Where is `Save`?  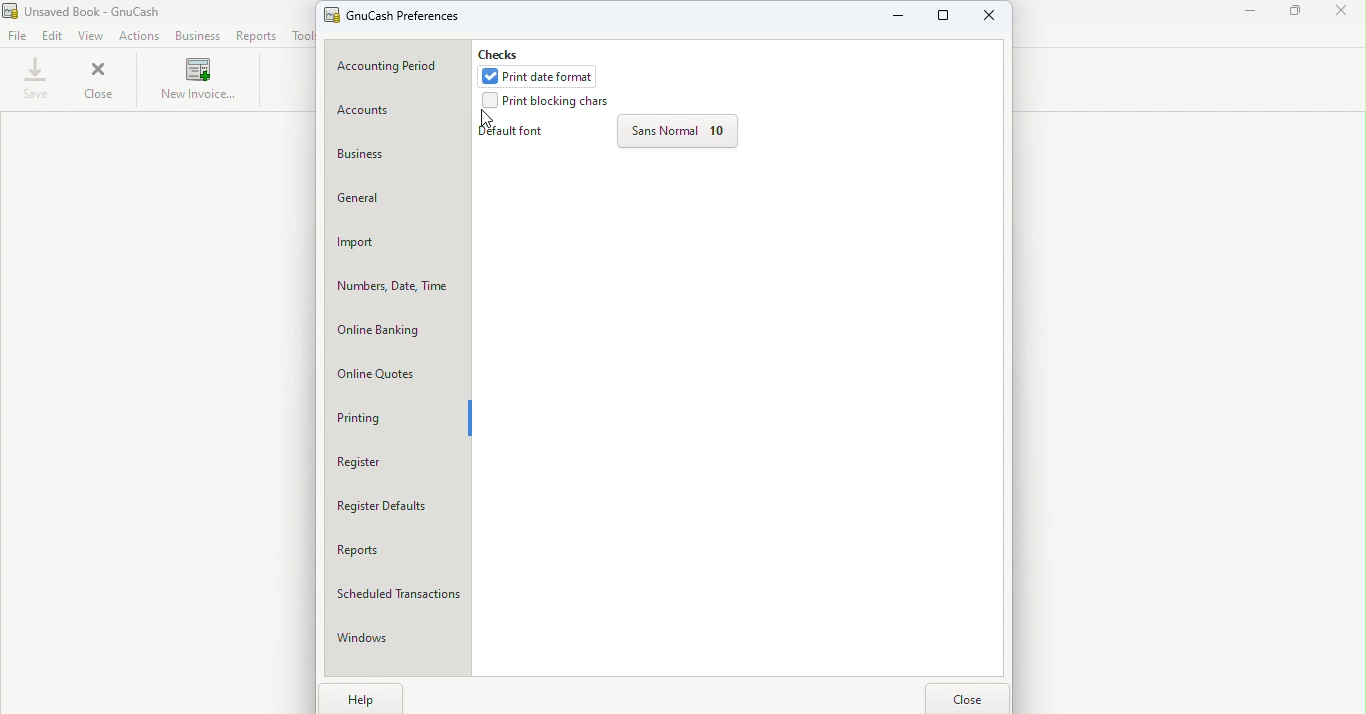 Save is located at coordinates (36, 79).